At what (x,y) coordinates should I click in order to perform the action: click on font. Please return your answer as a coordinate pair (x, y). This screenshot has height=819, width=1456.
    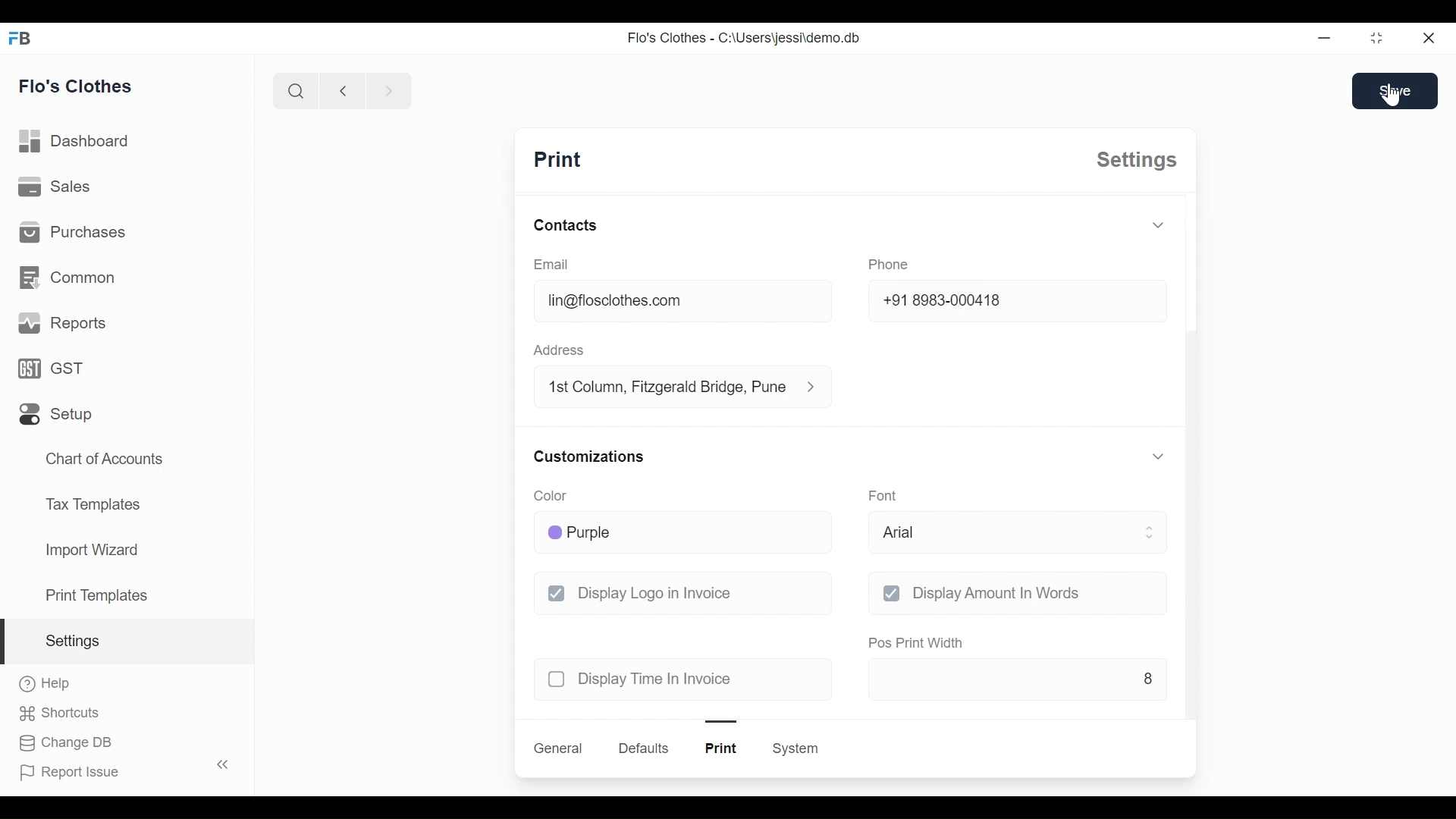
    Looking at the image, I should click on (883, 494).